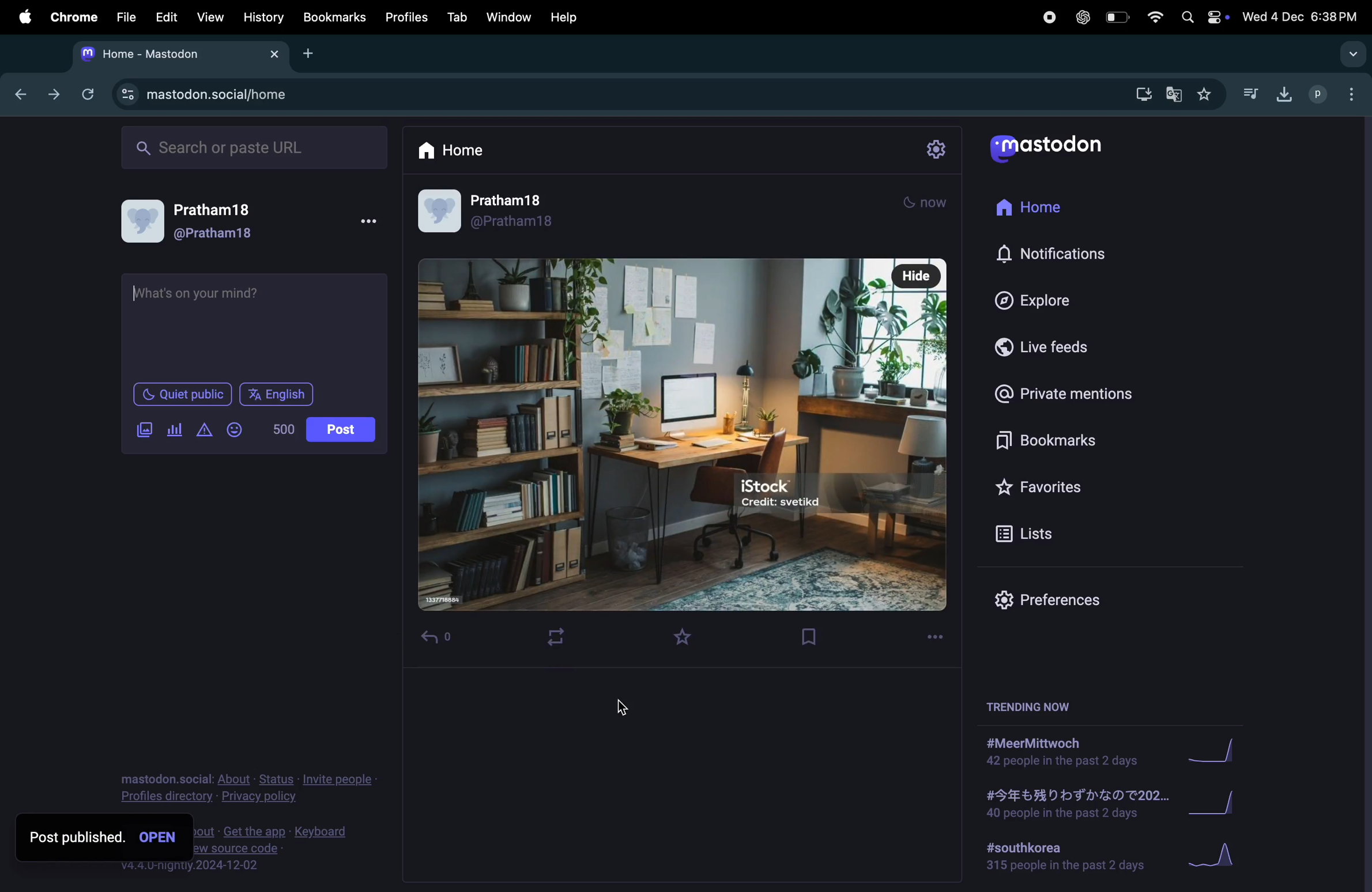 The image size is (1372, 892). I want to click on favourites, so click(1207, 95).